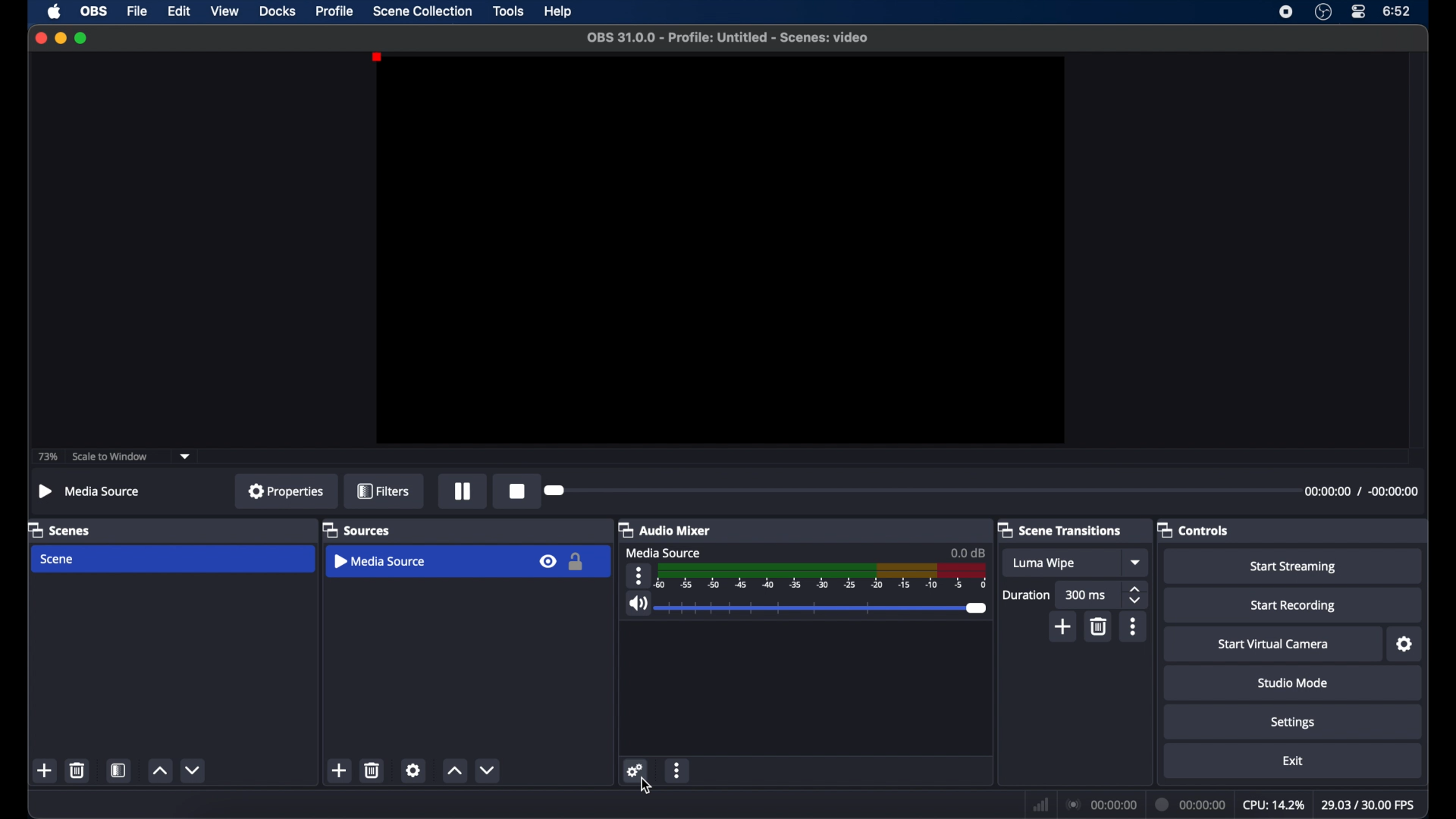 The width and height of the screenshot is (1456, 819). What do you see at coordinates (1025, 595) in the screenshot?
I see `duration` at bounding box center [1025, 595].